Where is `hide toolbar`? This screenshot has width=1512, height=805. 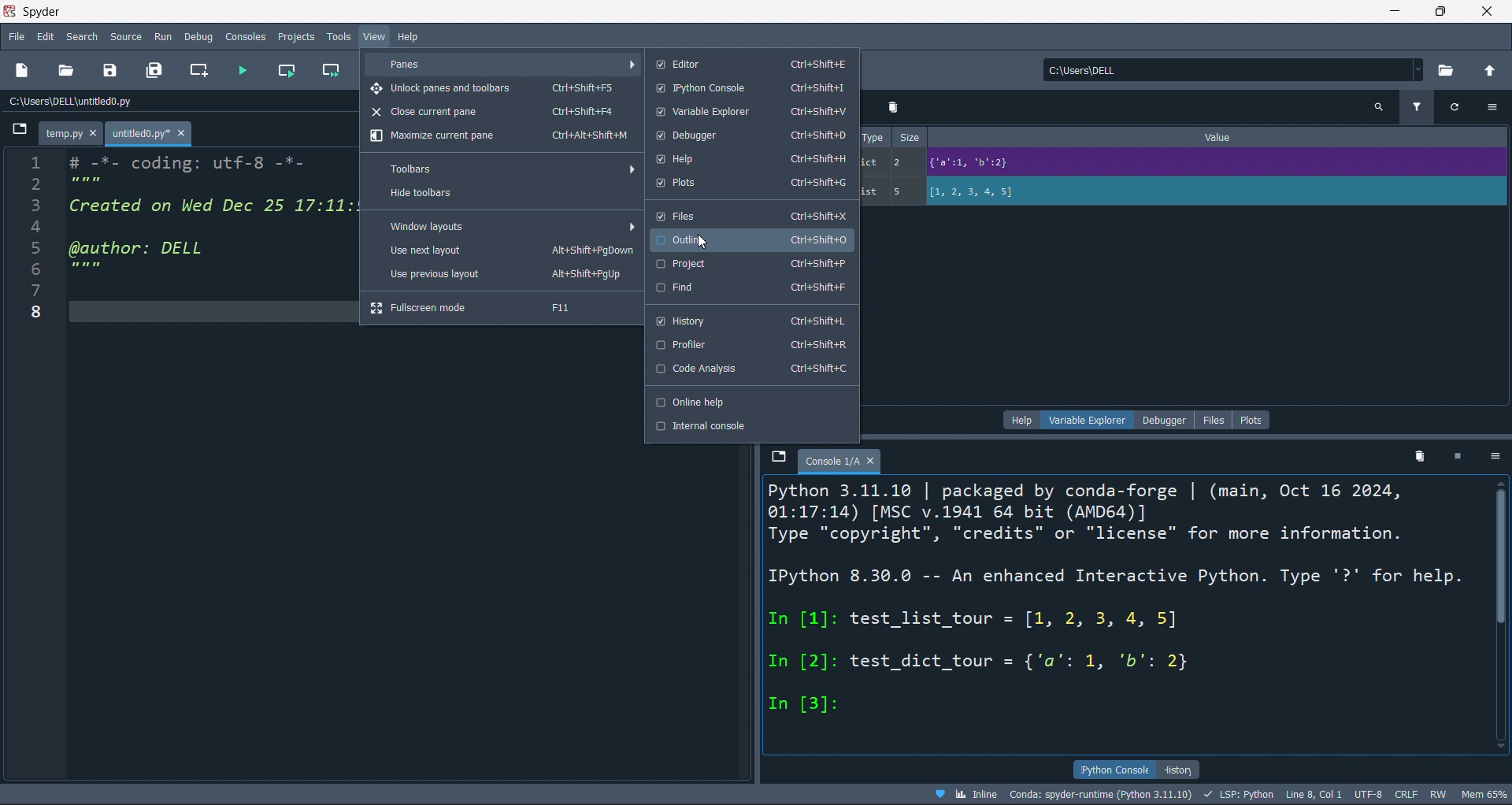 hide toolbar is located at coordinates (502, 194).